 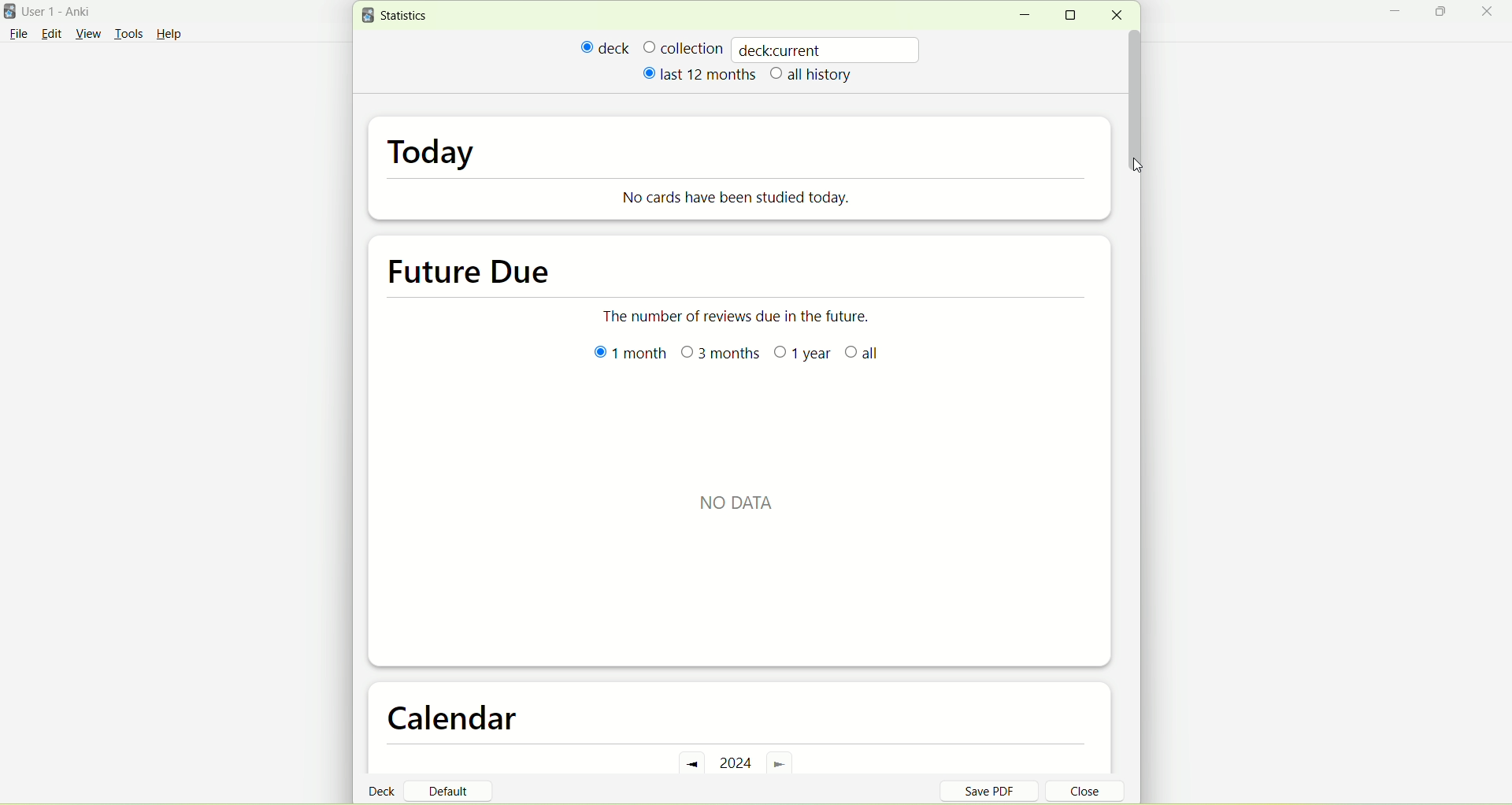 What do you see at coordinates (738, 762) in the screenshot?
I see `2024` at bounding box center [738, 762].